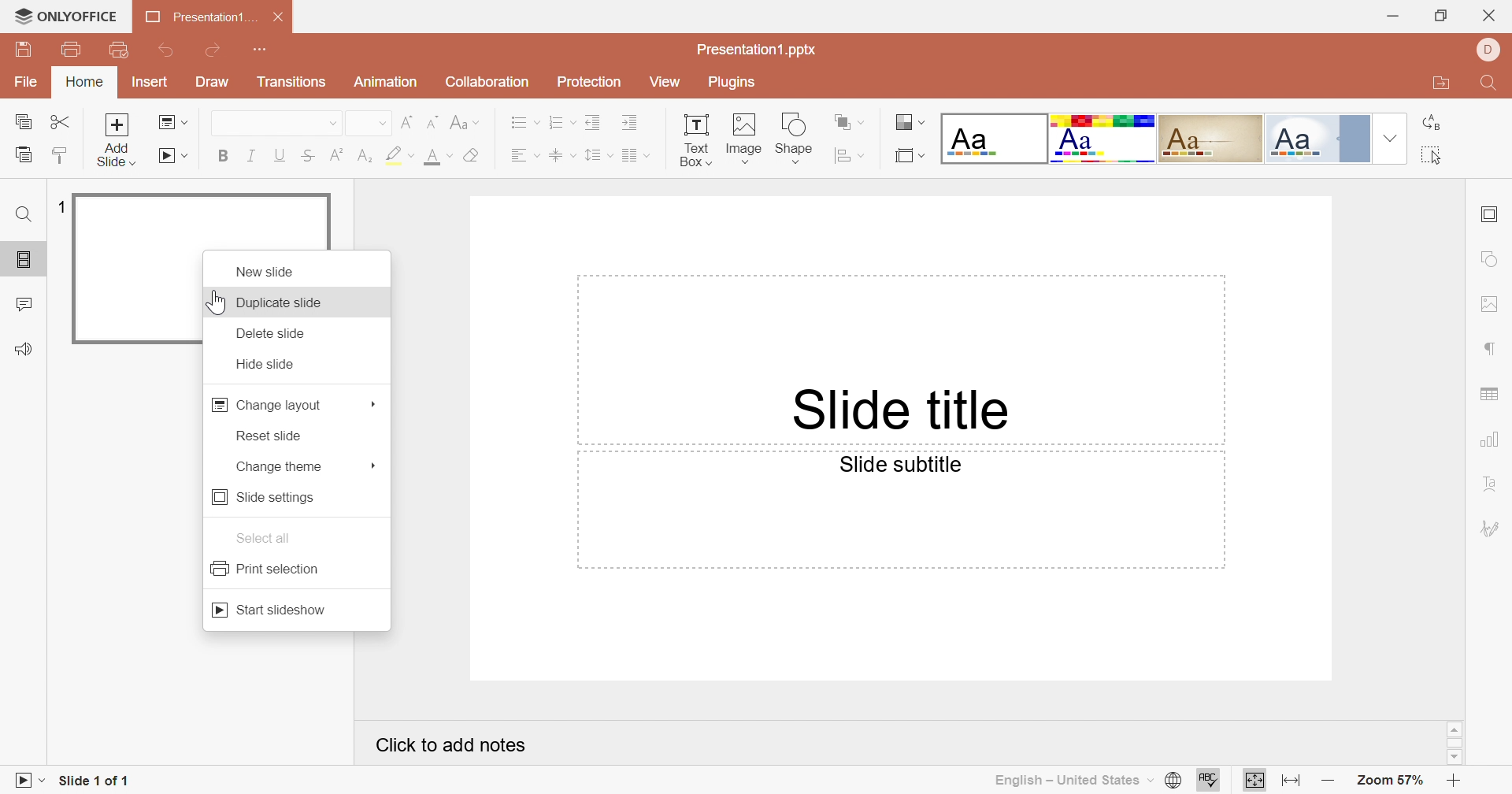 This screenshot has width=1512, height=794. What do you see at coordinates (65, 154) in the screenshot?
I see `Copy style` at bounding box center [65, 154].